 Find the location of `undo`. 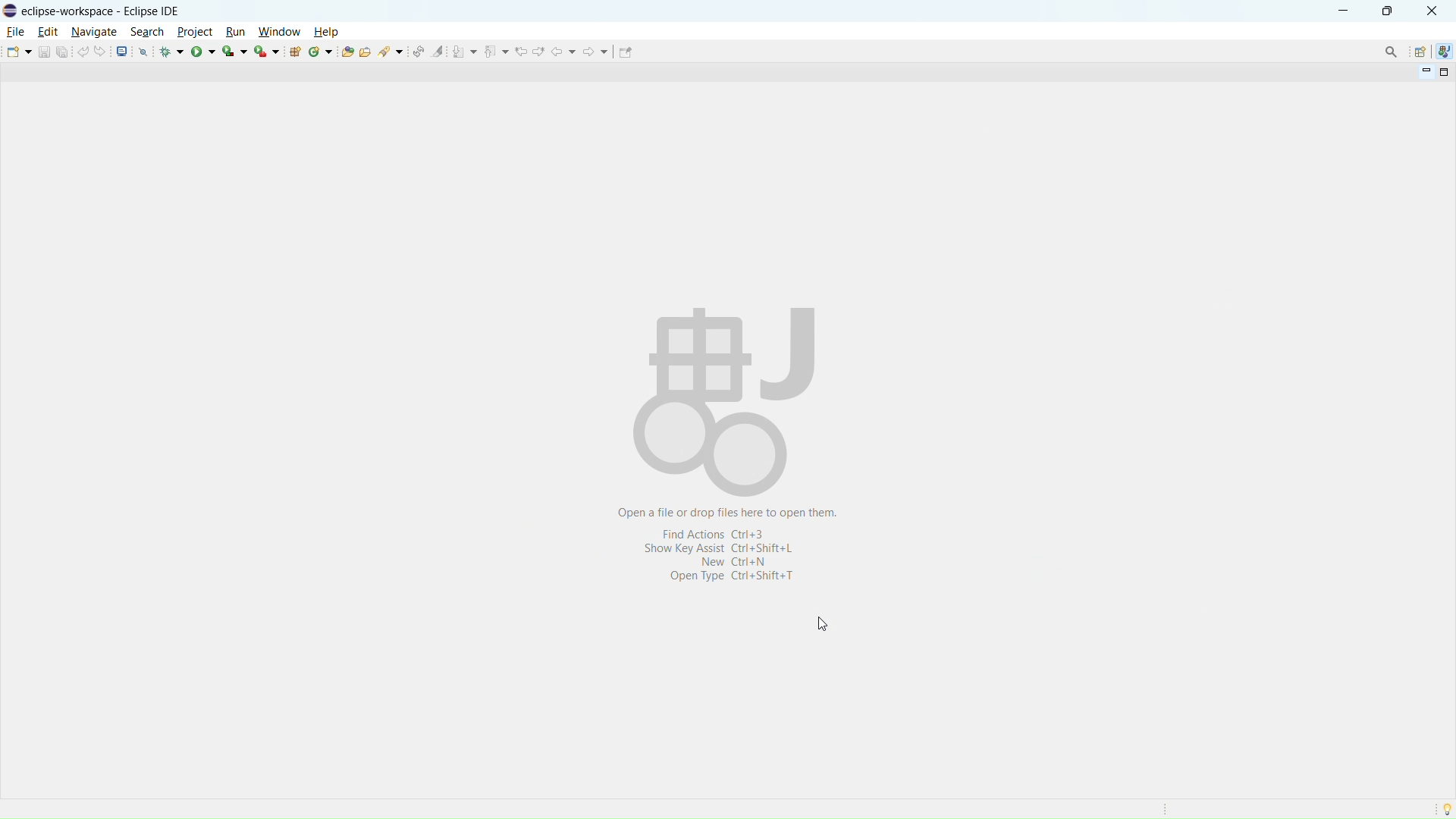

undo is located at coordinates (83, 52).